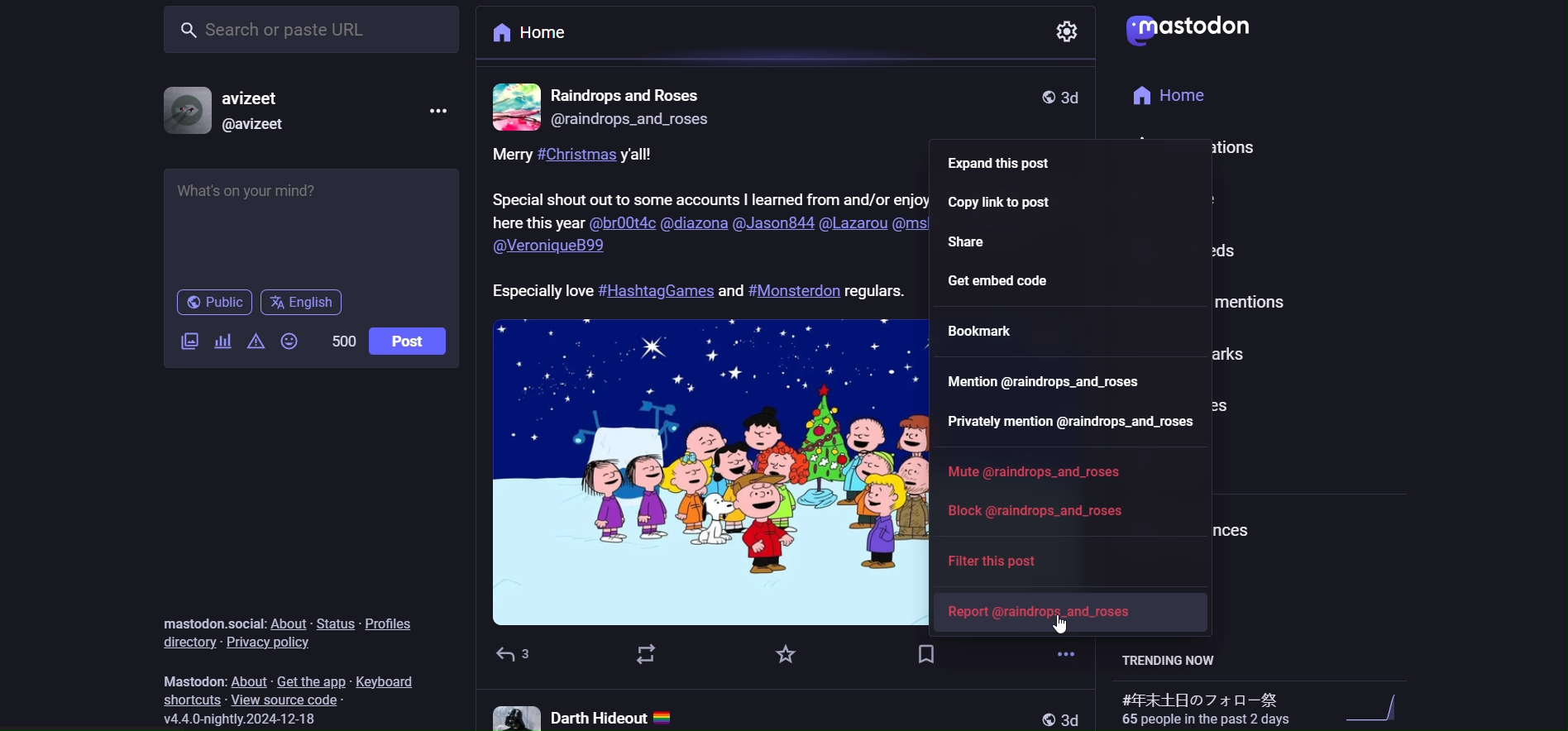  I want to click on shortcut, so click(189, 700).